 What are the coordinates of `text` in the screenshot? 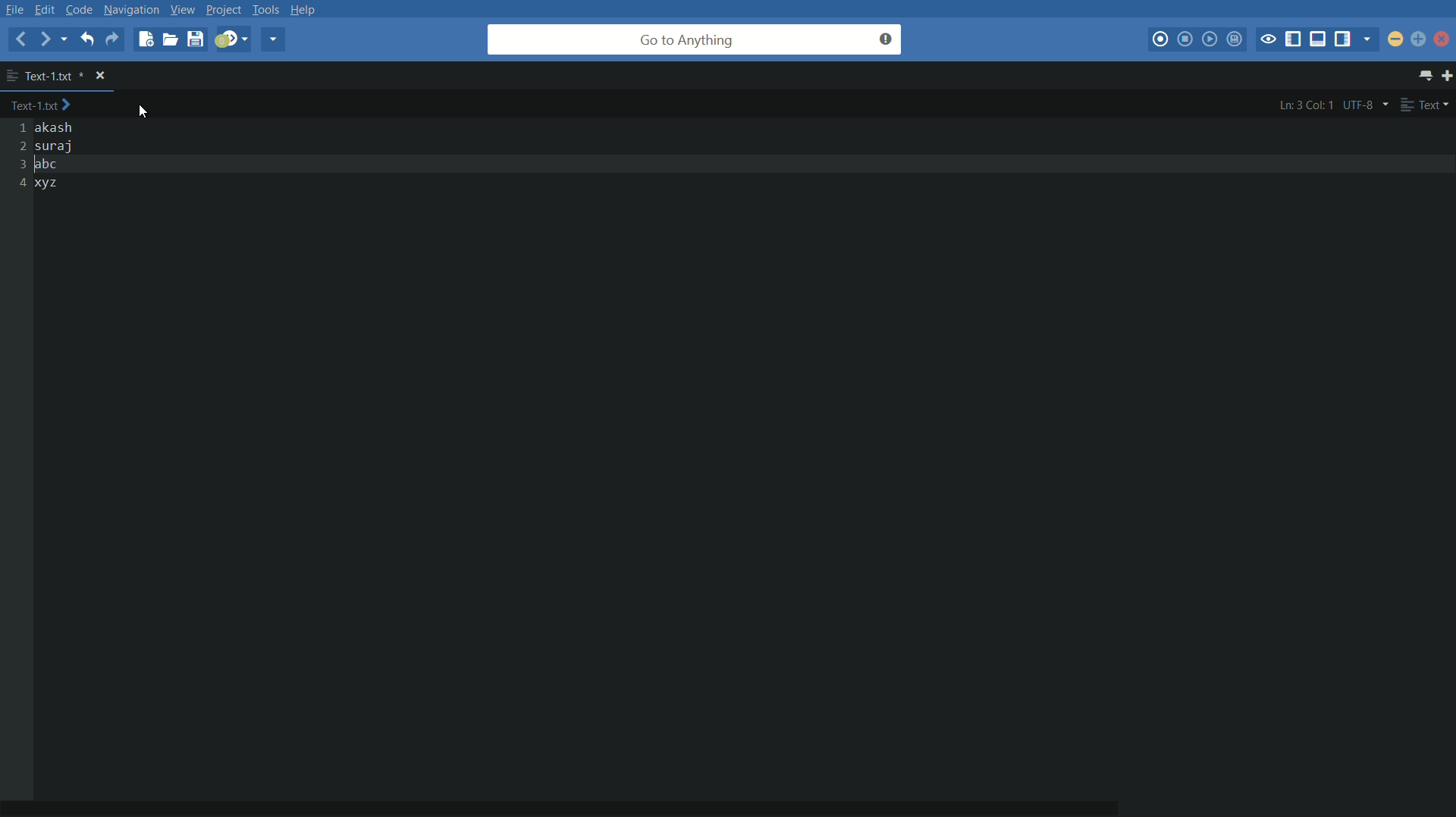 It's located at (1426, 105).